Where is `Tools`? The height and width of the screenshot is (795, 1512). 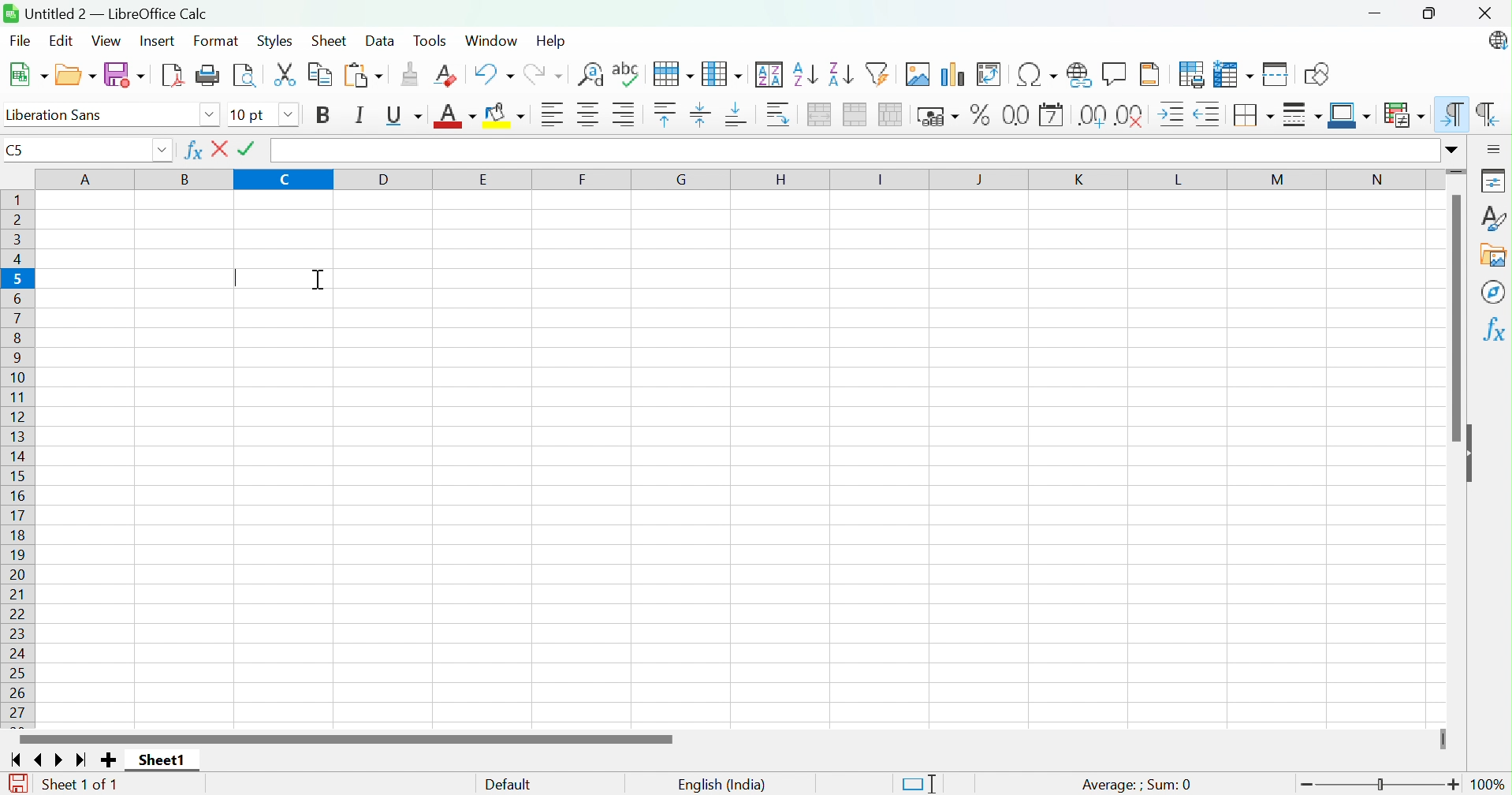 Tools is located at coordinates (434, 41).